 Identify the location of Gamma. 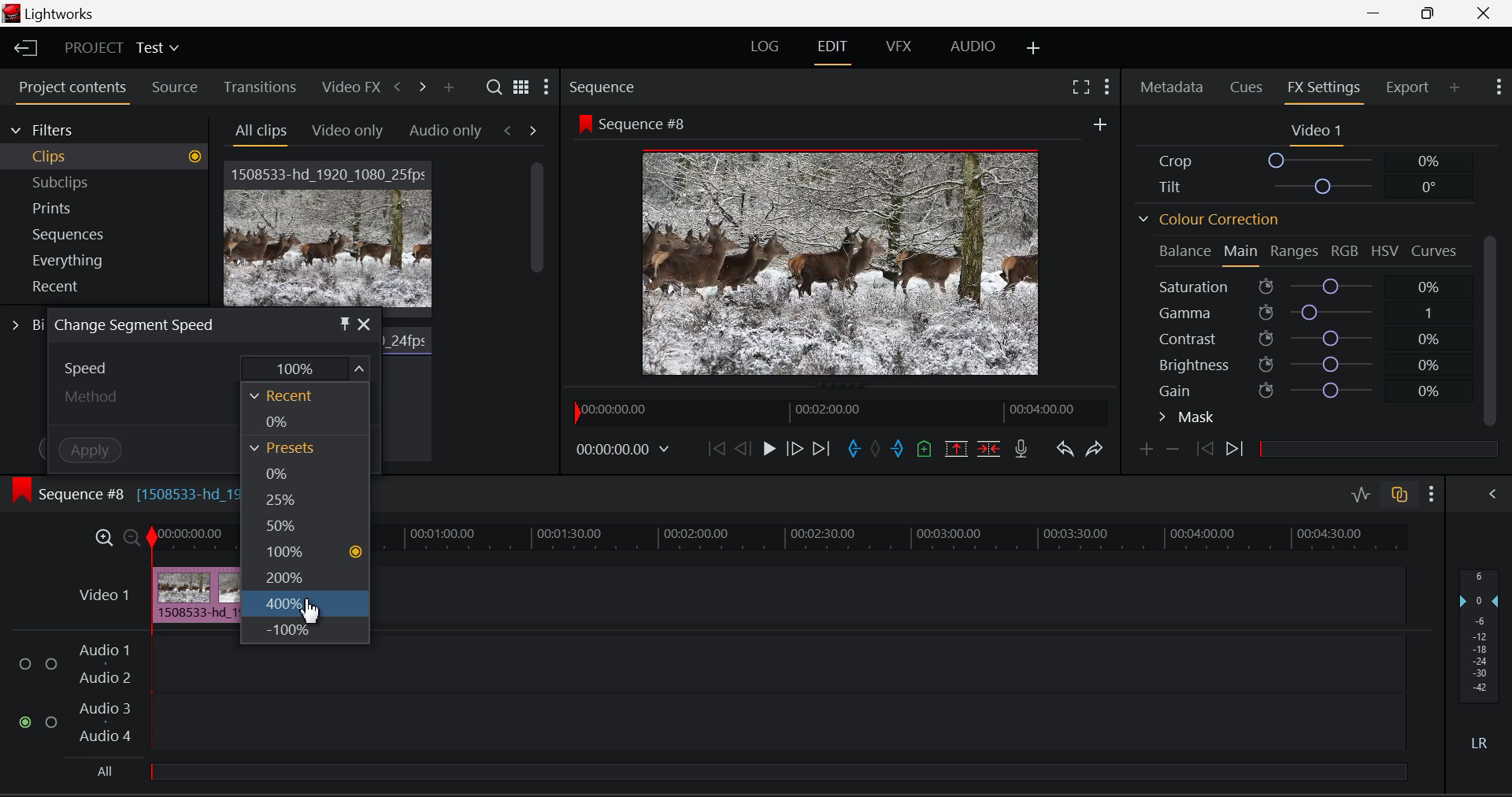
(1303, 313).